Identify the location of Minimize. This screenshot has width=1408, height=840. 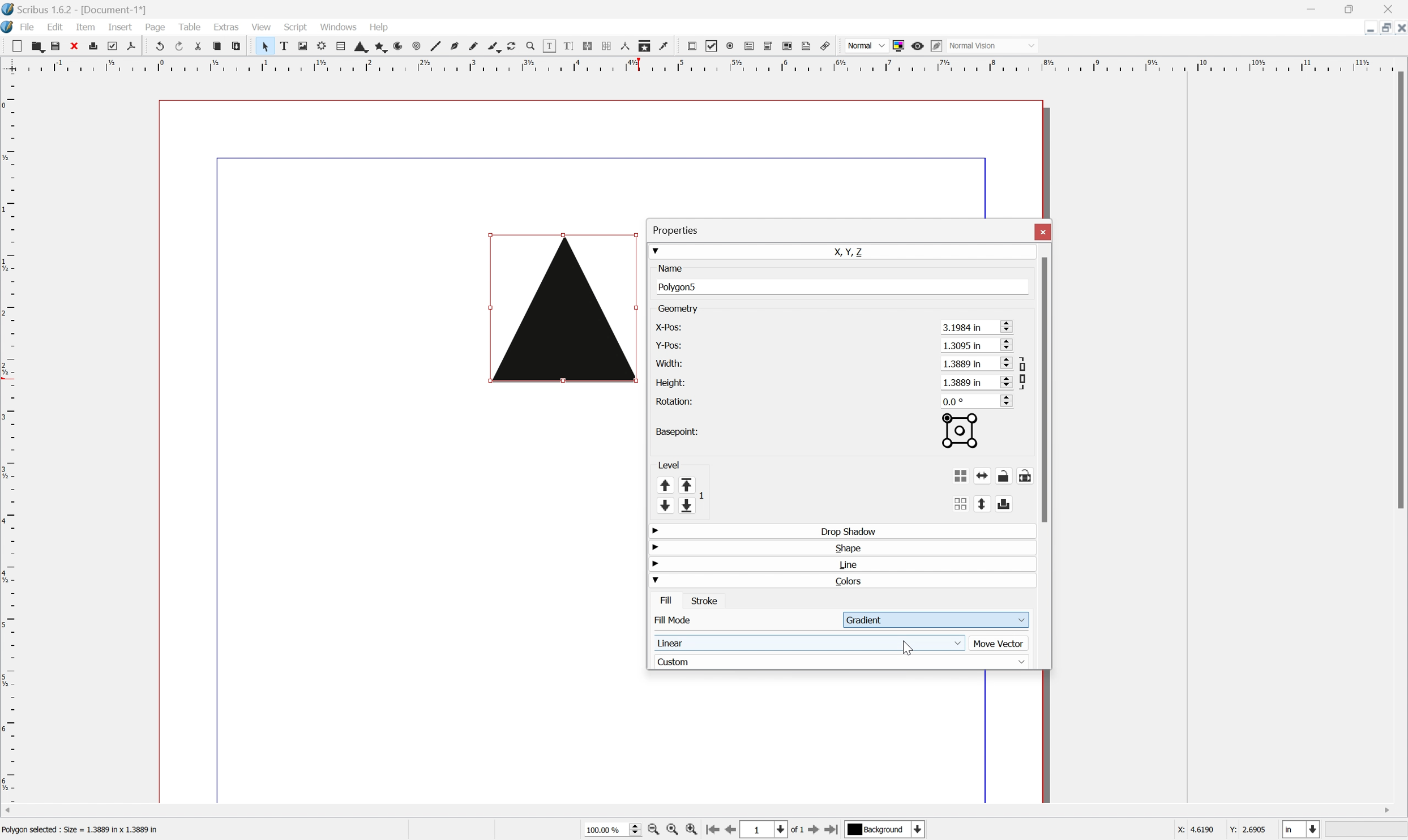
(1368, 28).